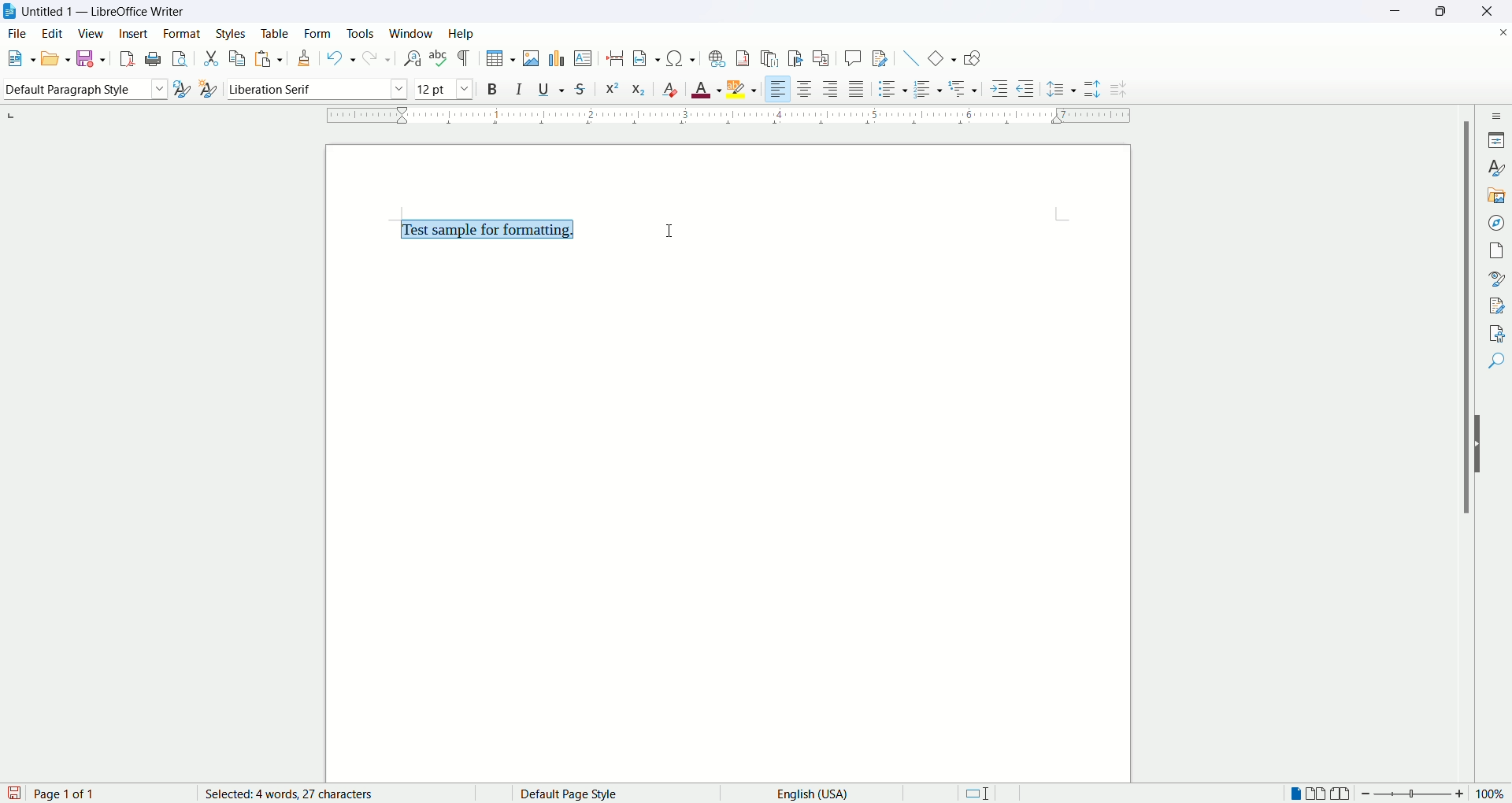  I want to click on new, so click(20, 58).